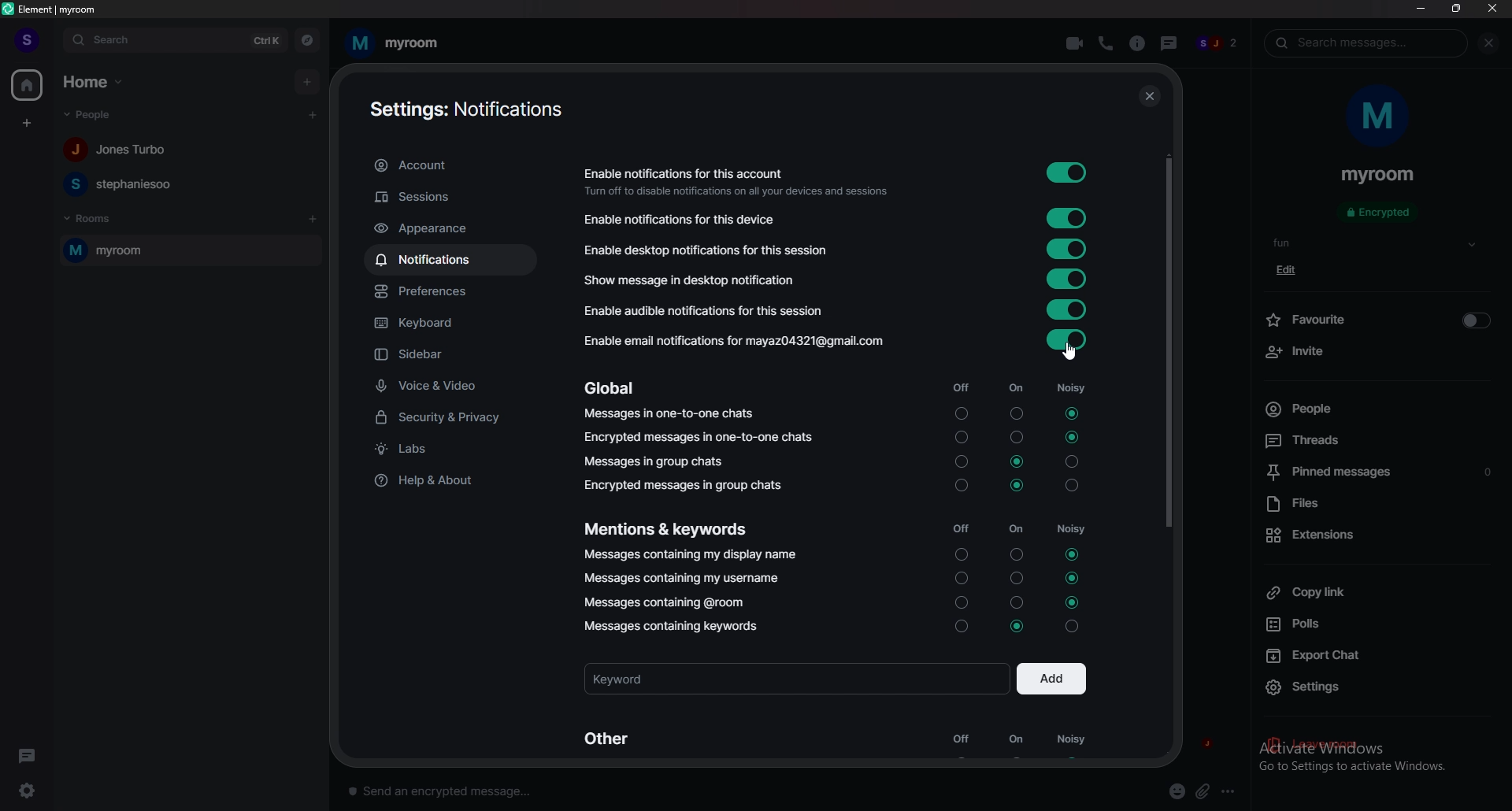 This screenshot has width=1512, height=811. I want to click on notifications for this device, so click(834, 219).